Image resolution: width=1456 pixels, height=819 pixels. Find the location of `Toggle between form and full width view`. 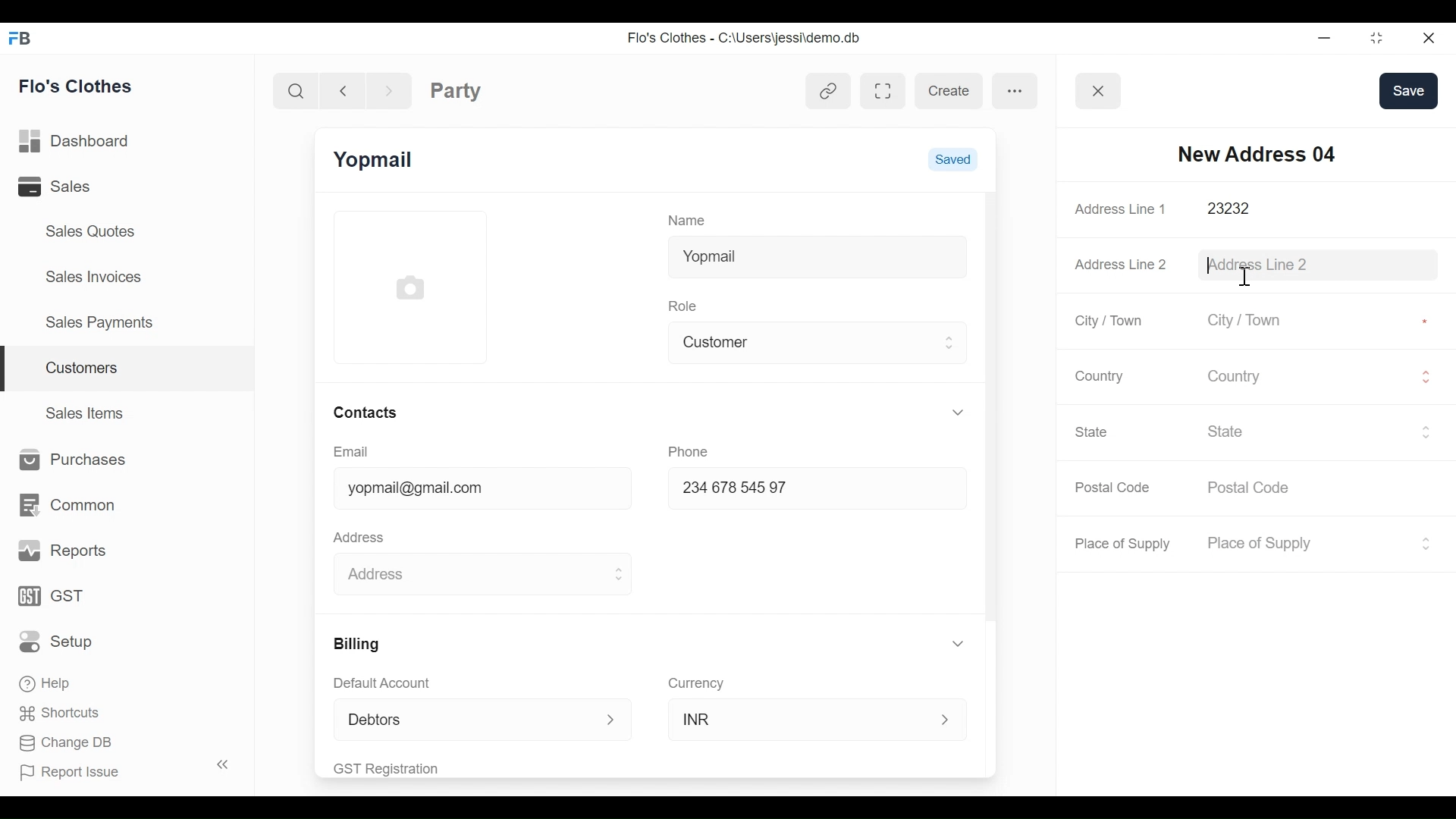

Toggle between form and full width view is located at coordinates (883, 91).